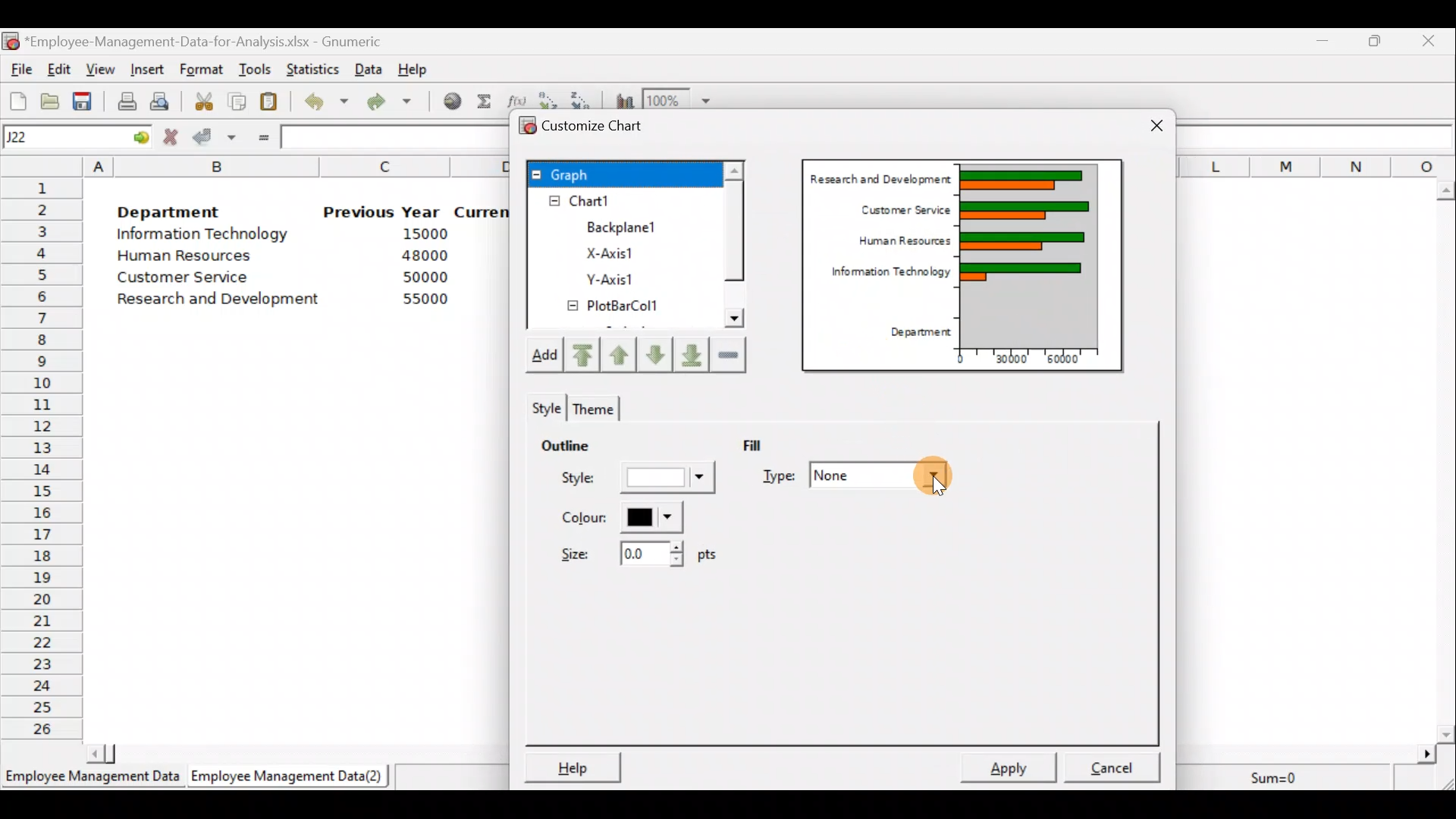 This screenshot has height=819, width=1456. Describe the element at coordinates (420, 237) in the screenshot. I see `15000` at that location.